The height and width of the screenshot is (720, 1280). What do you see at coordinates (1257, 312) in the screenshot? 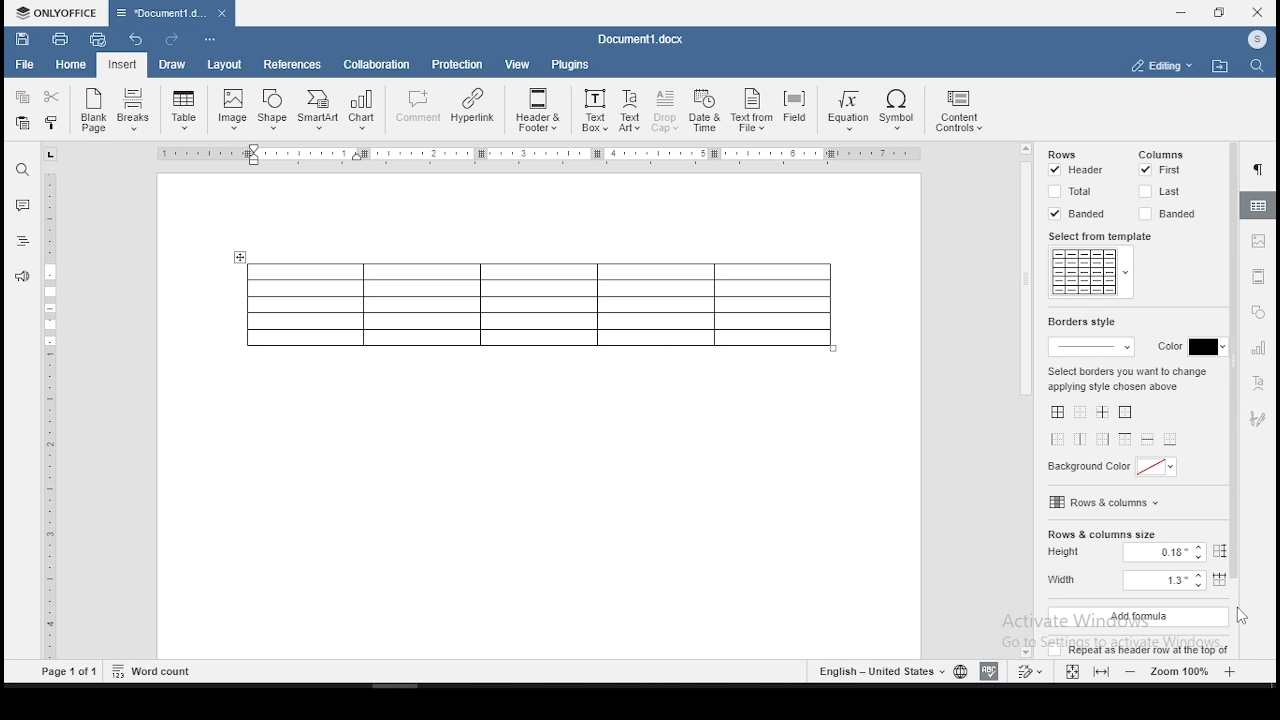
I see `shapes settings` at bounding box center [1257, 312].